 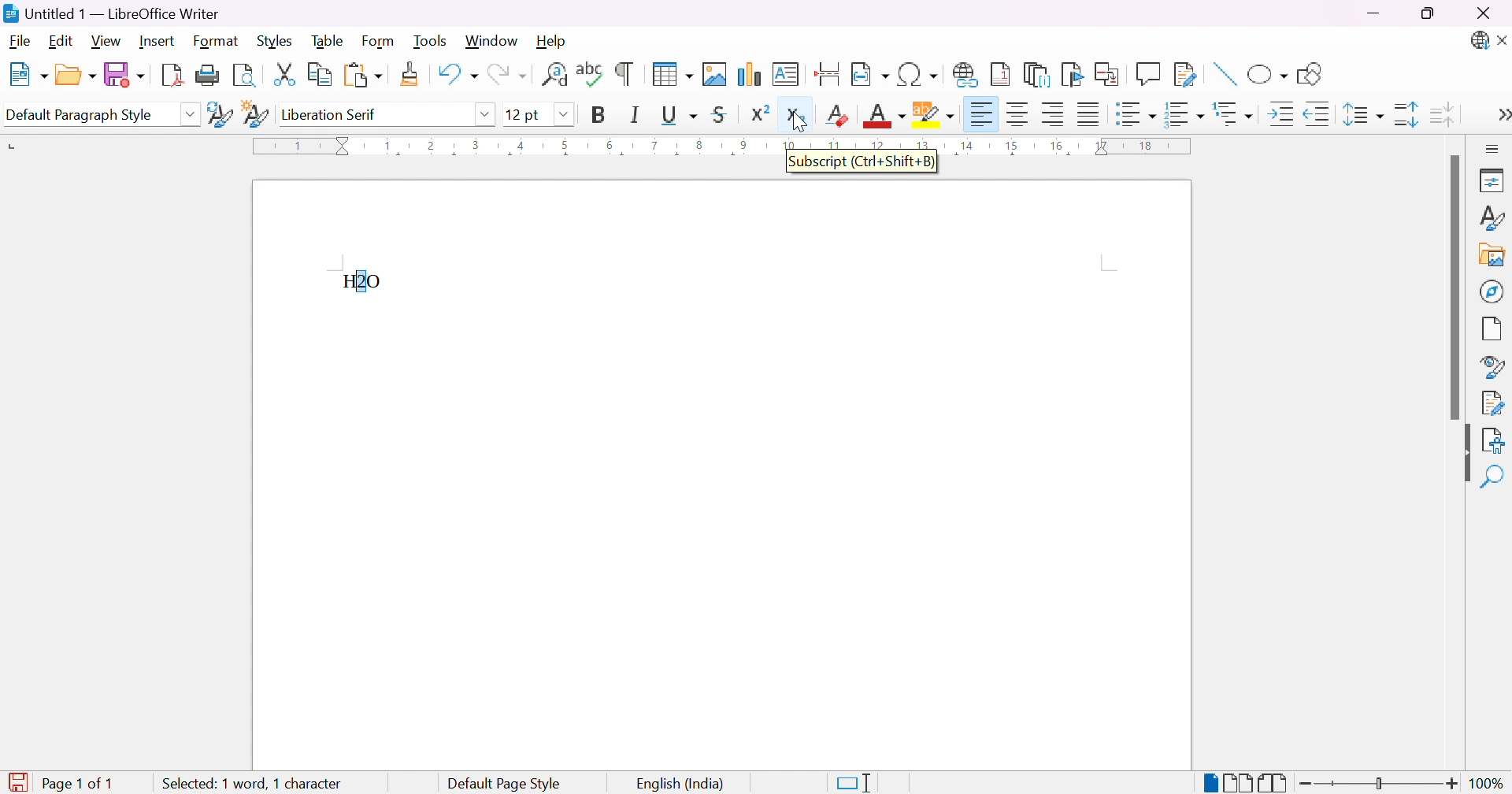 I want to click on Format, so click(x=217, y=42).